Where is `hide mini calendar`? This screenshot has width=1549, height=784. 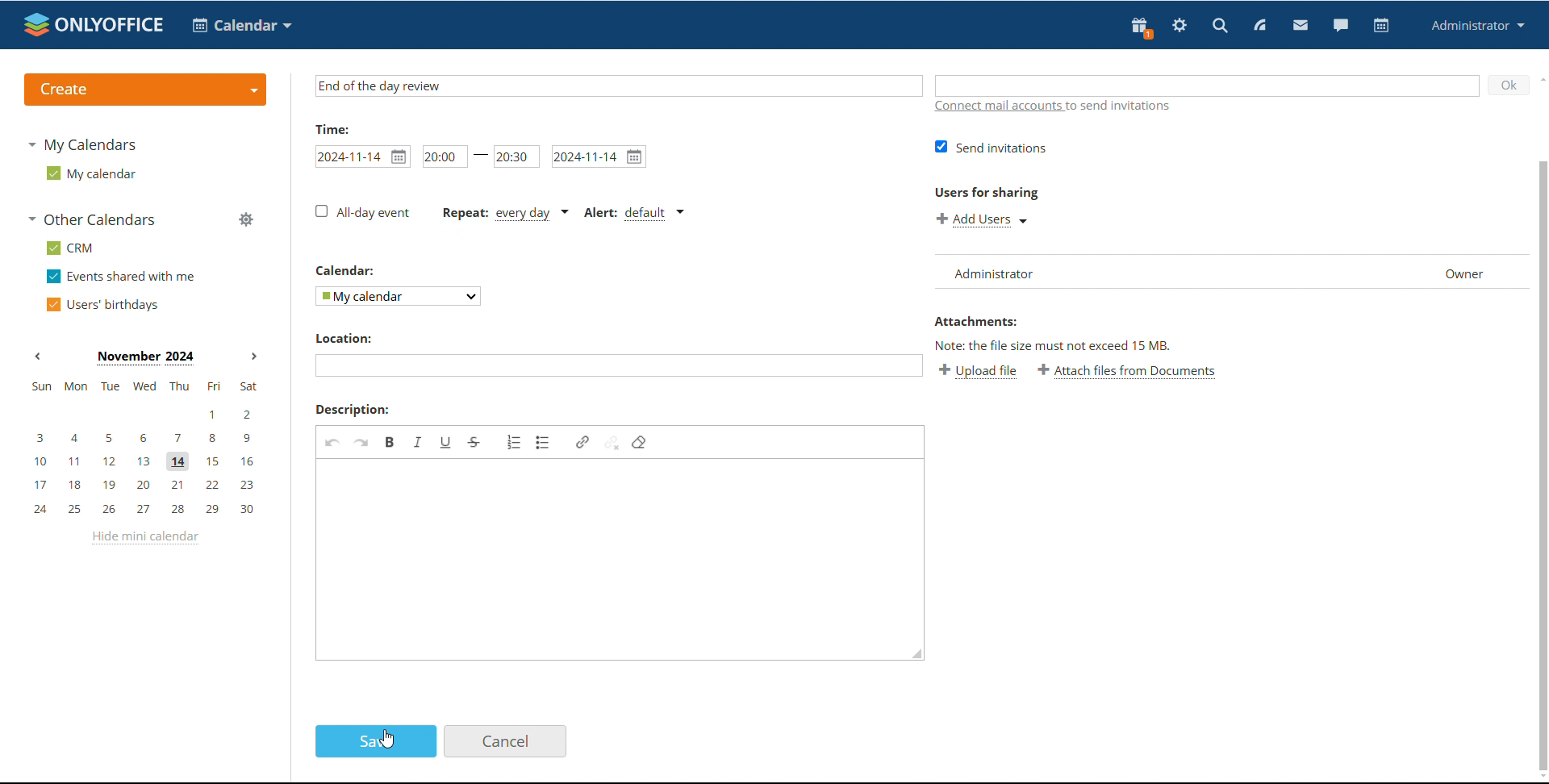
hide mini calendar is located at coordinates (144, 537).